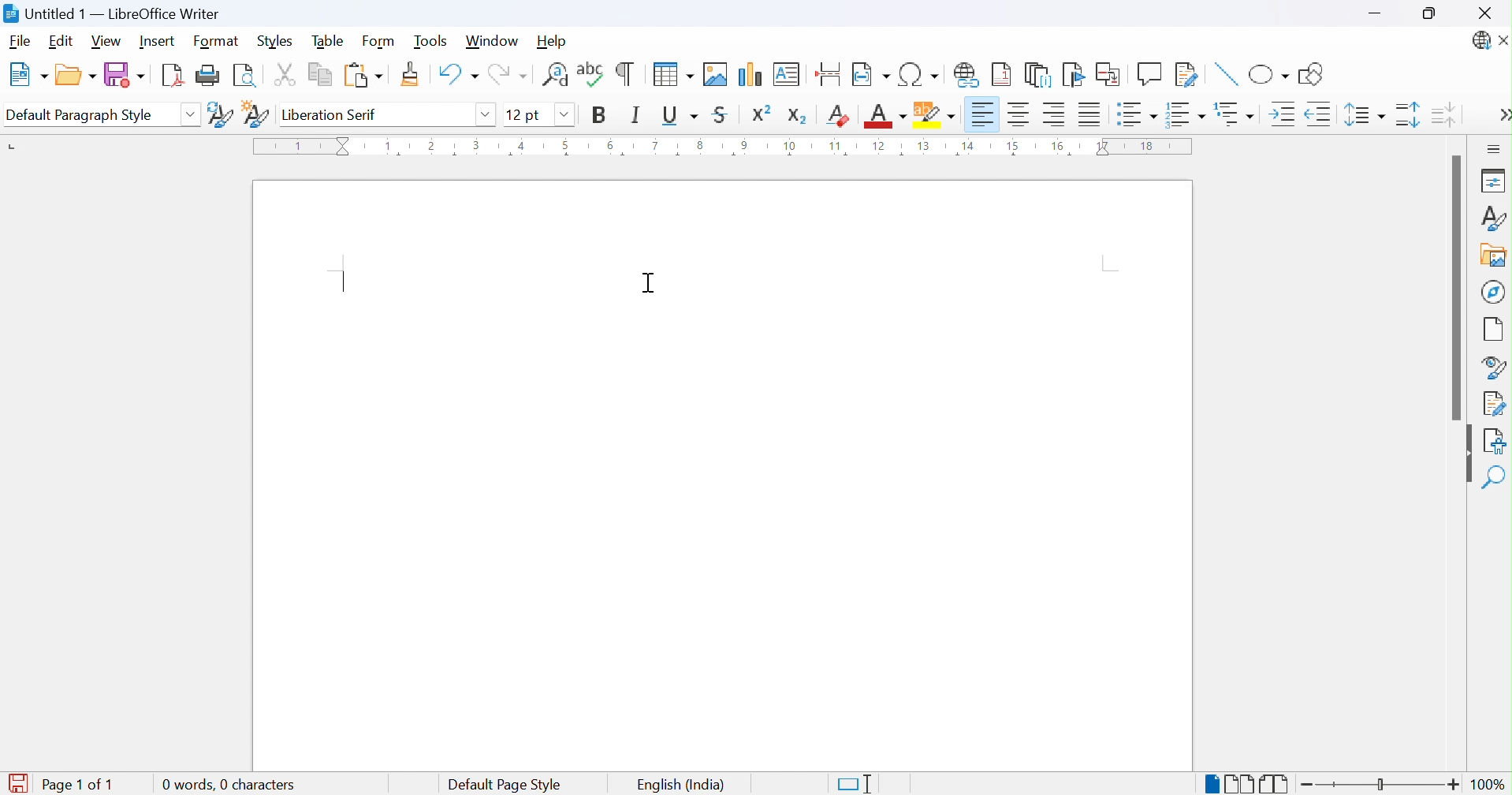 The image size is (1512, 795). What do you see at coordinates (1493, 255) in the screenshot?
I see `Gallery` at bounding box center [1493, 255].